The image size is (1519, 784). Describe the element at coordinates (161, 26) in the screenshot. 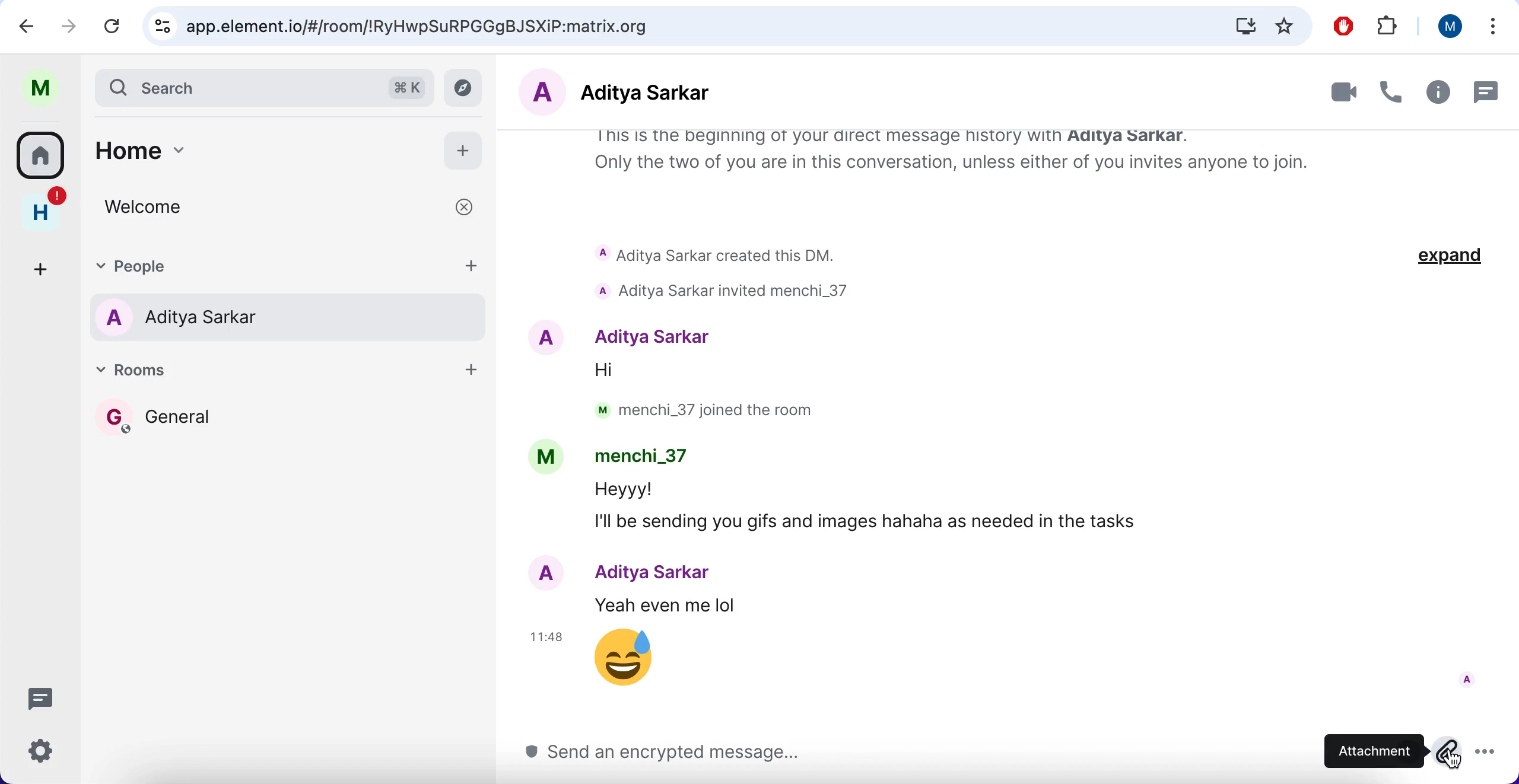

I see `view site information` at that location.